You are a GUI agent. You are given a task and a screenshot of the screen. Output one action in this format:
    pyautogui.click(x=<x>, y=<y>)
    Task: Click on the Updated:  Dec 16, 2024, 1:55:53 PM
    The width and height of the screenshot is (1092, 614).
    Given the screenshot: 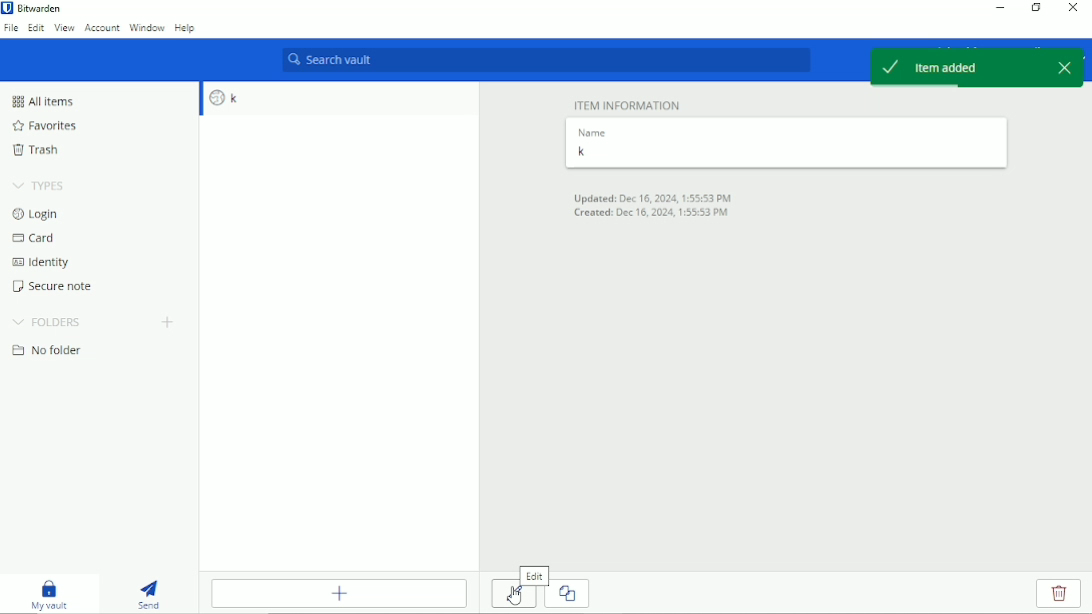 What is the action you would take?
    pyautogui.click(x=655, y=197)
    